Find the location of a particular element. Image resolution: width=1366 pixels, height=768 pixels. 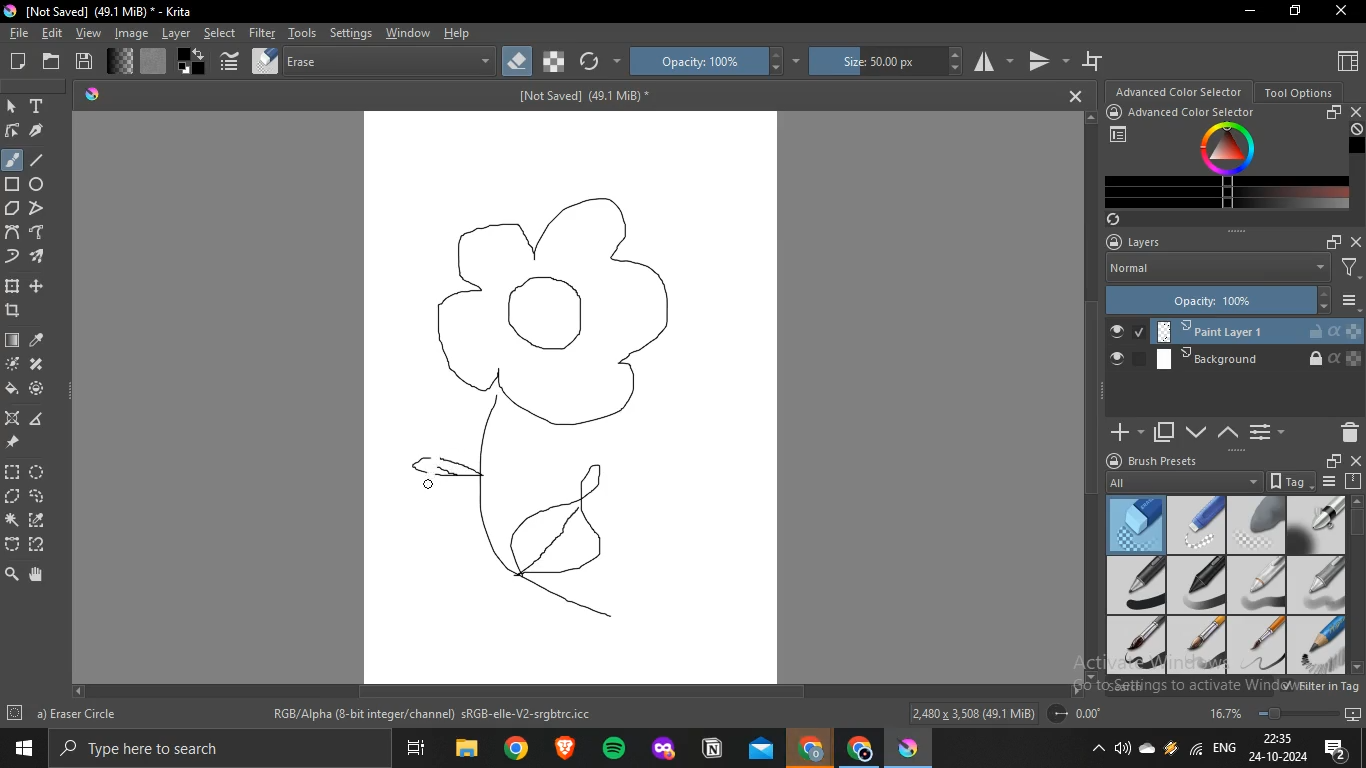

duplicate layer or mask layer is located at coordinates (1164, 433).